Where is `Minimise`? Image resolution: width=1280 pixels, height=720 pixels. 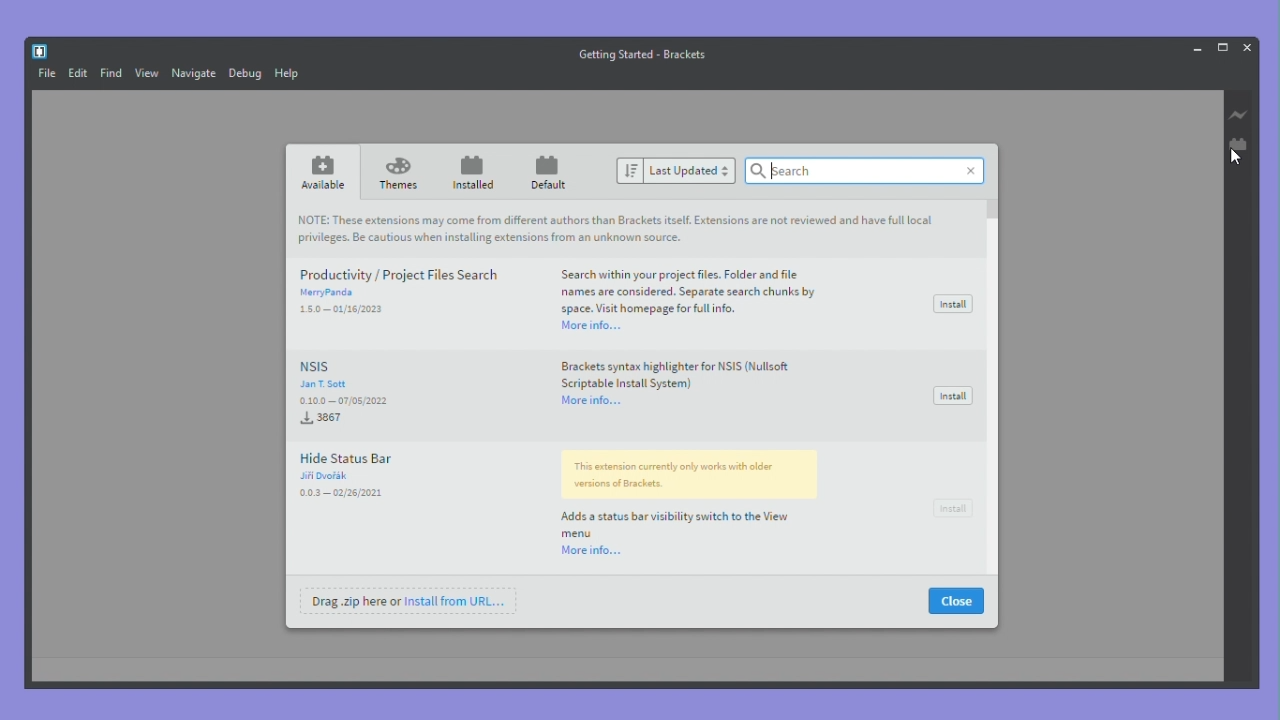 Minimise is located at coordinates (1196, 49).